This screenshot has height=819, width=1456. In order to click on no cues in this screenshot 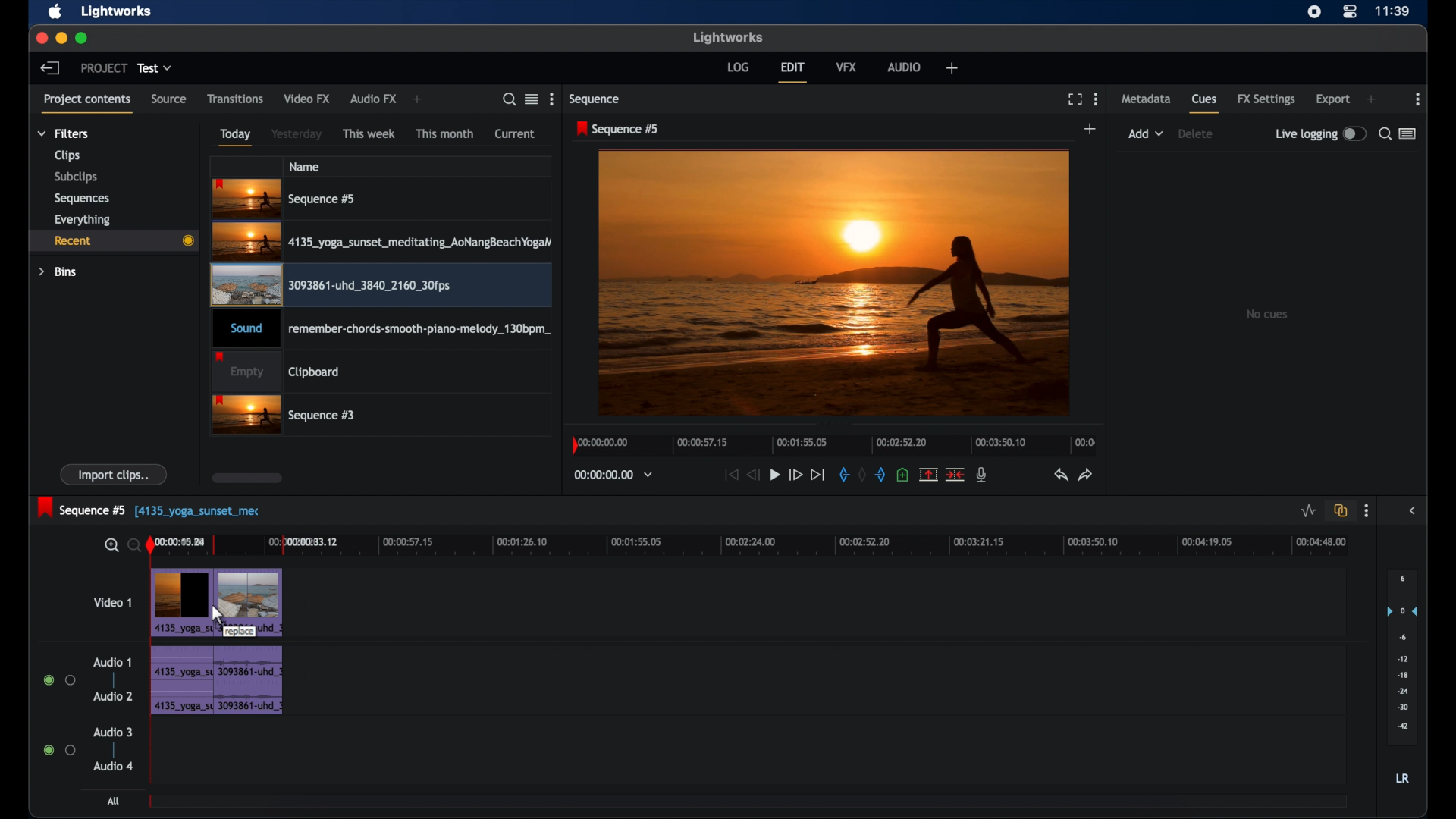, I will do `click(1269, 314)`.